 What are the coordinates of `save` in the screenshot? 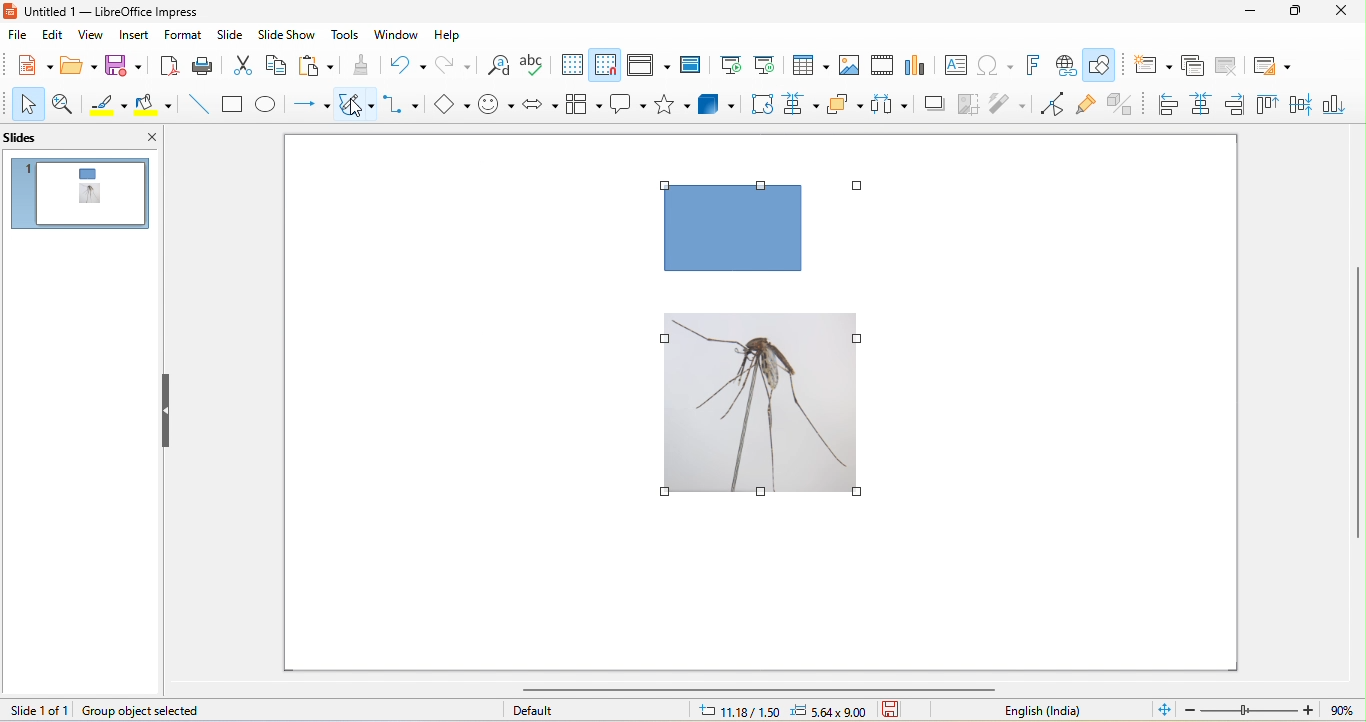 It's located at (128, 66).